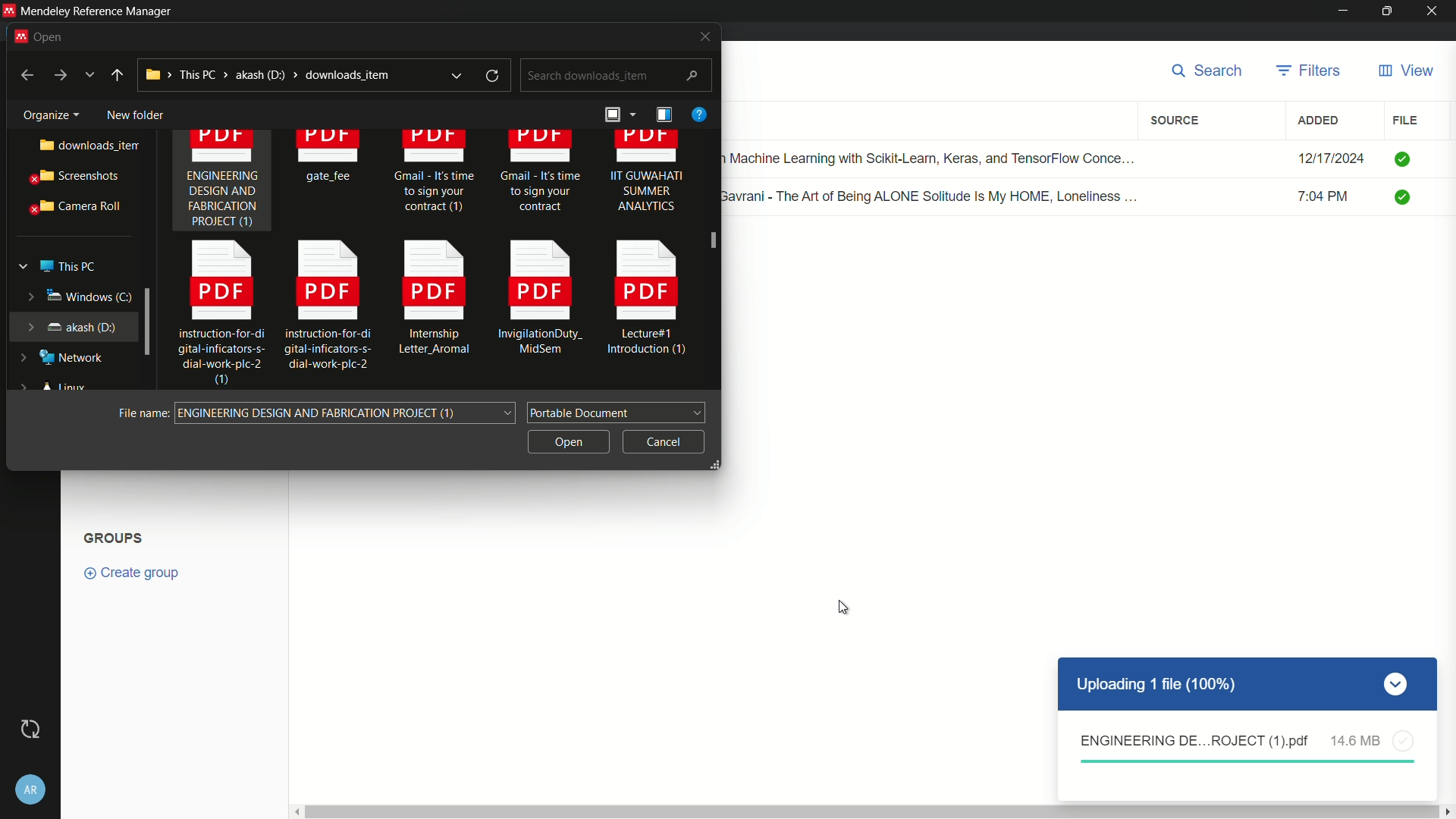 The width and height of the screenshot is (1456, 819). I want to click on check, so click(1404, 158).